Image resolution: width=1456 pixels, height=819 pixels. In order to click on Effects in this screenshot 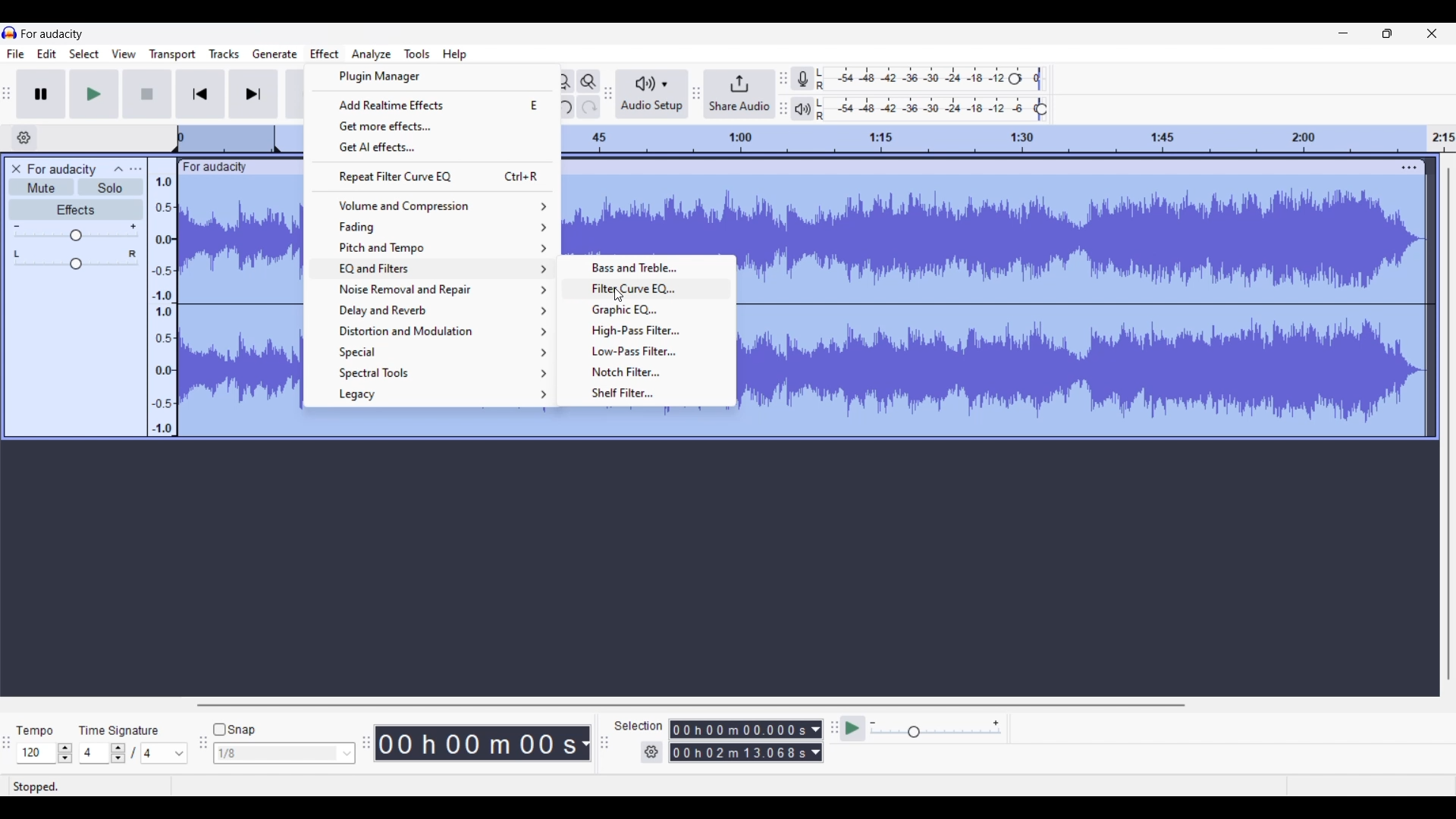, I will do `click(76, 209)`.